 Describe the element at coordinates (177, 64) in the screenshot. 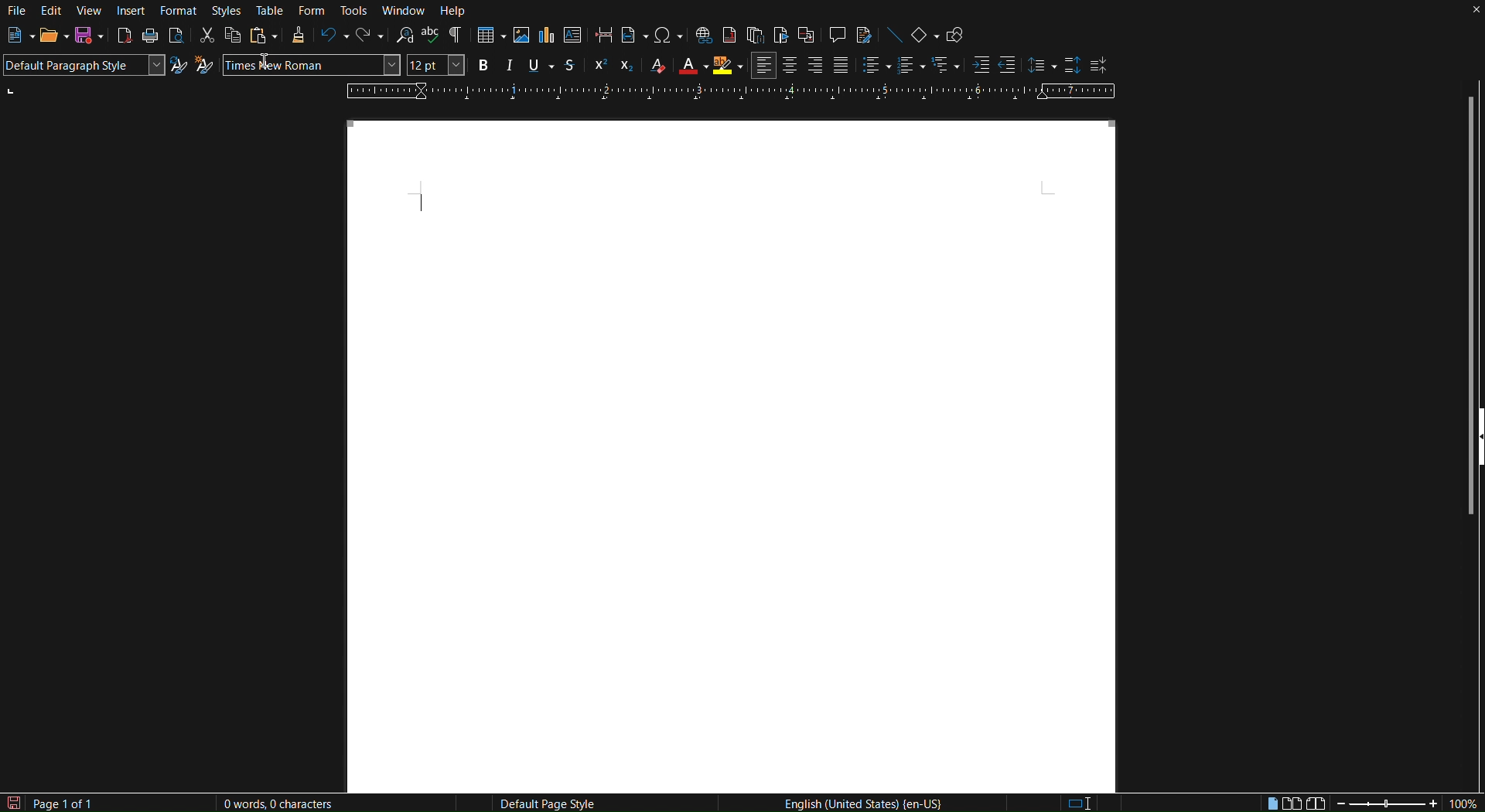

I see `Update Selected Style` at that location.